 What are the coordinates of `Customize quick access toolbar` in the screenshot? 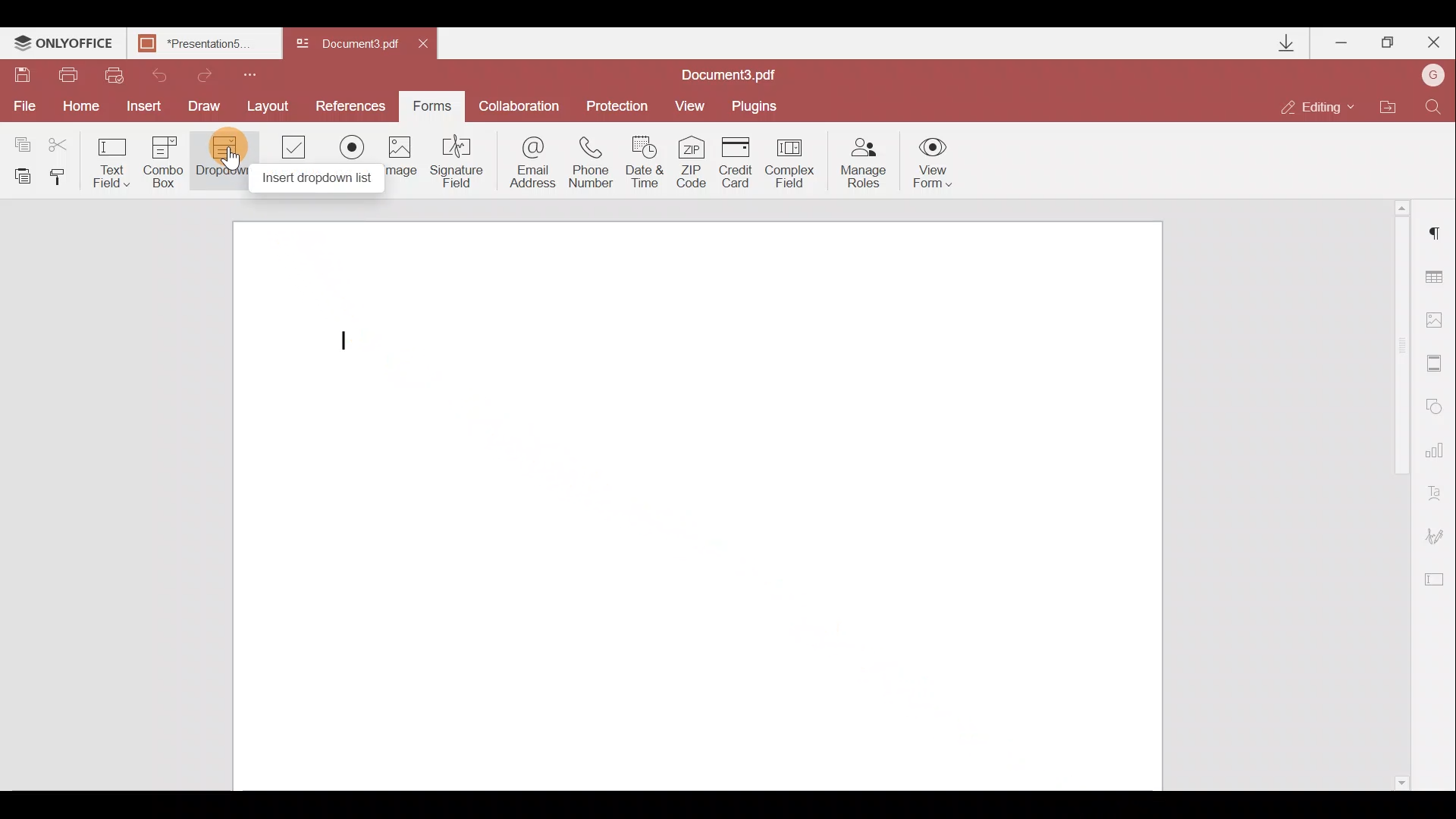 It's located at (244, 73).